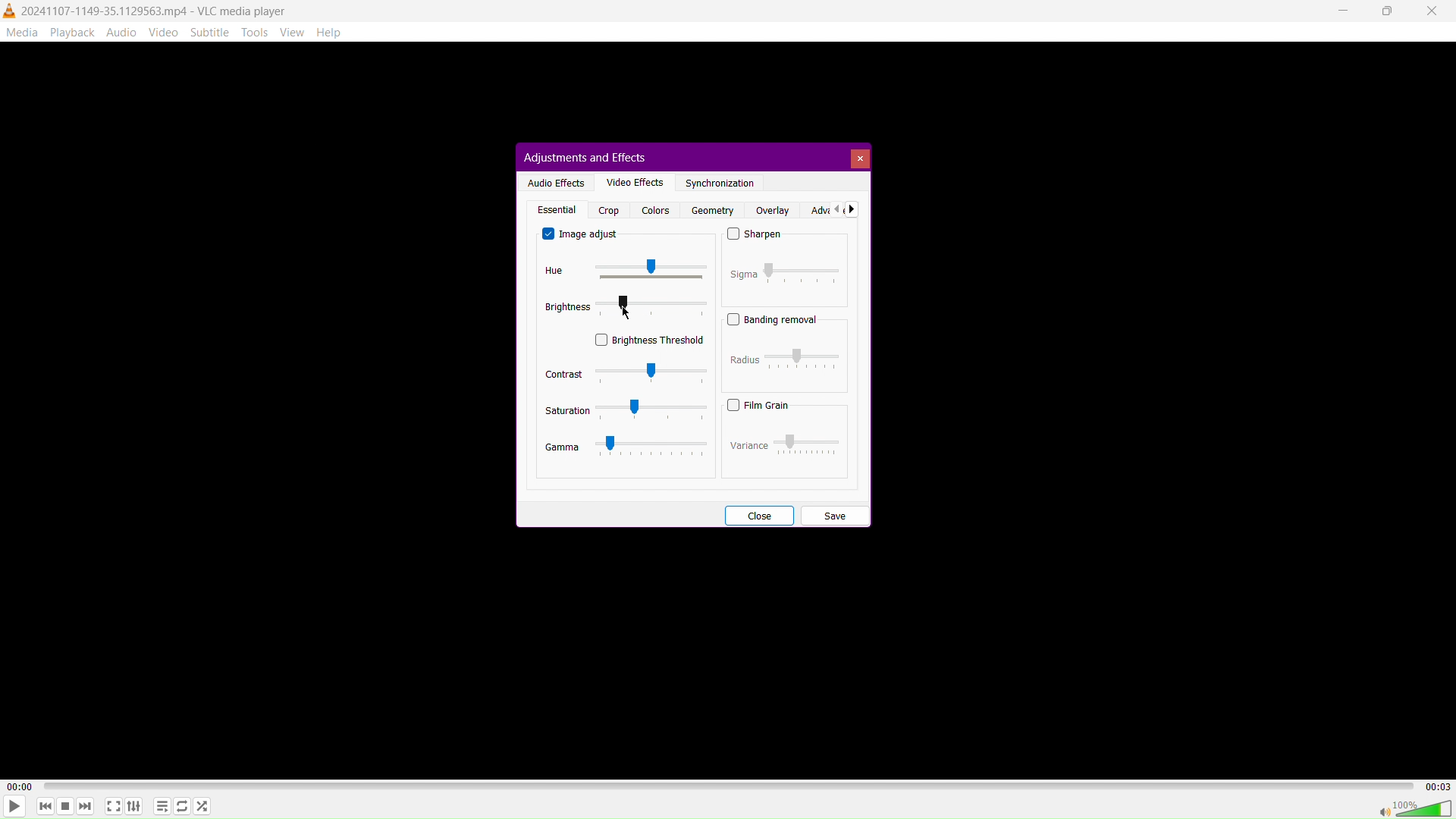  What do you see at coordinates (160, 805) in the screenshot?
I see `Toggle playlist` at bounding box center [160, 805].